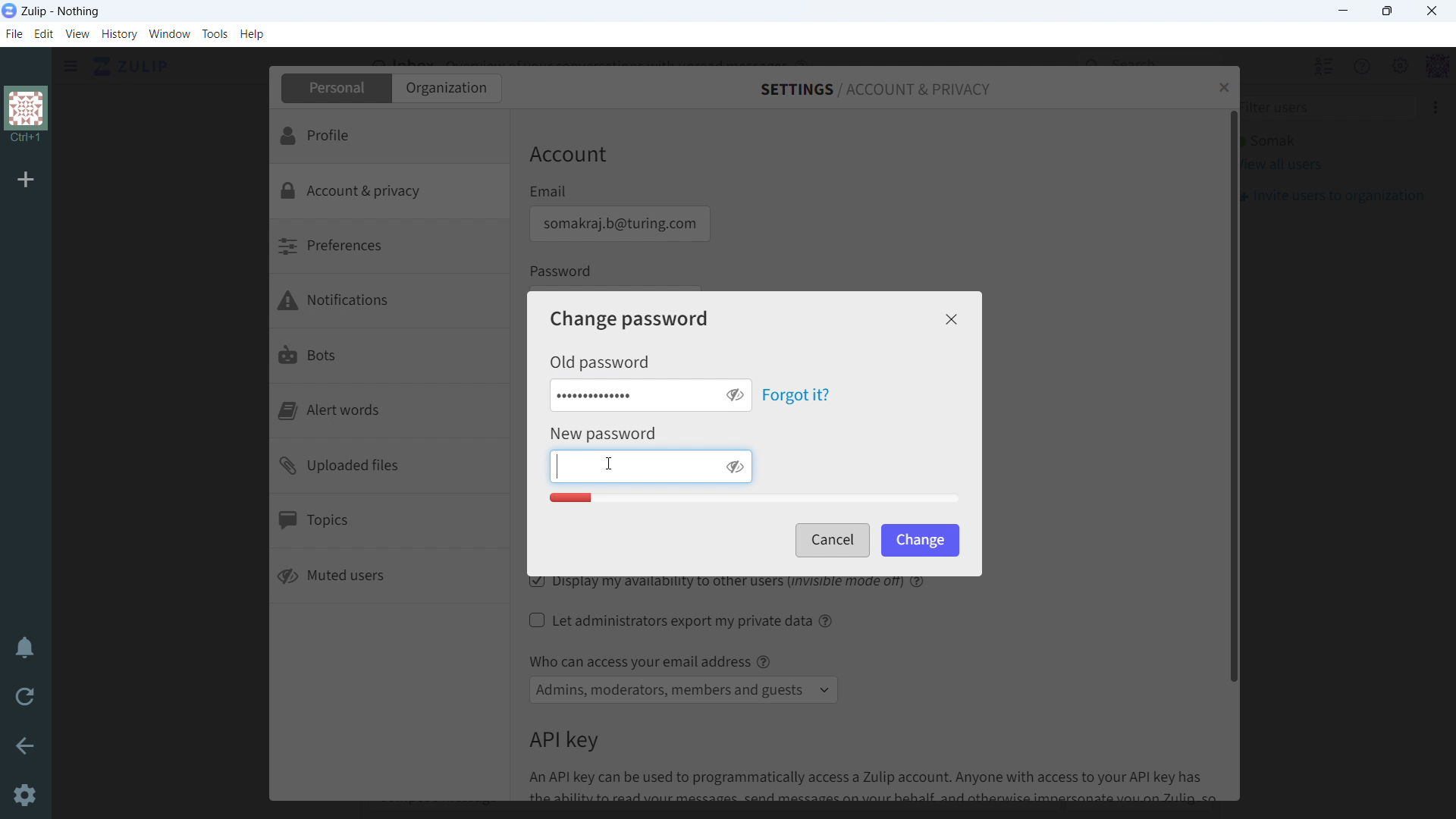 Image resolution: width=1456 pixels, height=819 pixels. I want to click on close, so click(1432, 11).